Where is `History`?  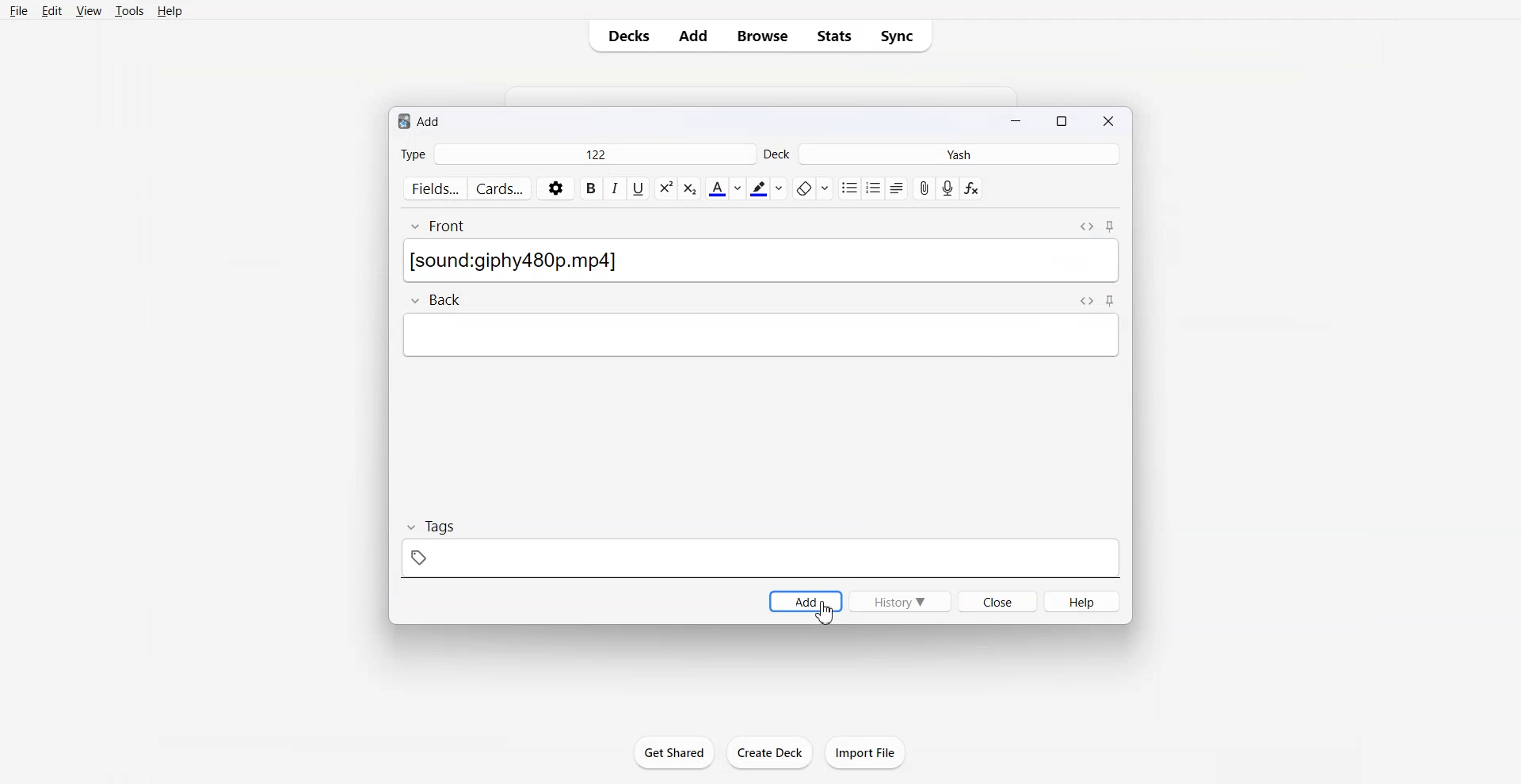 History is located at coordinates (905, 601).